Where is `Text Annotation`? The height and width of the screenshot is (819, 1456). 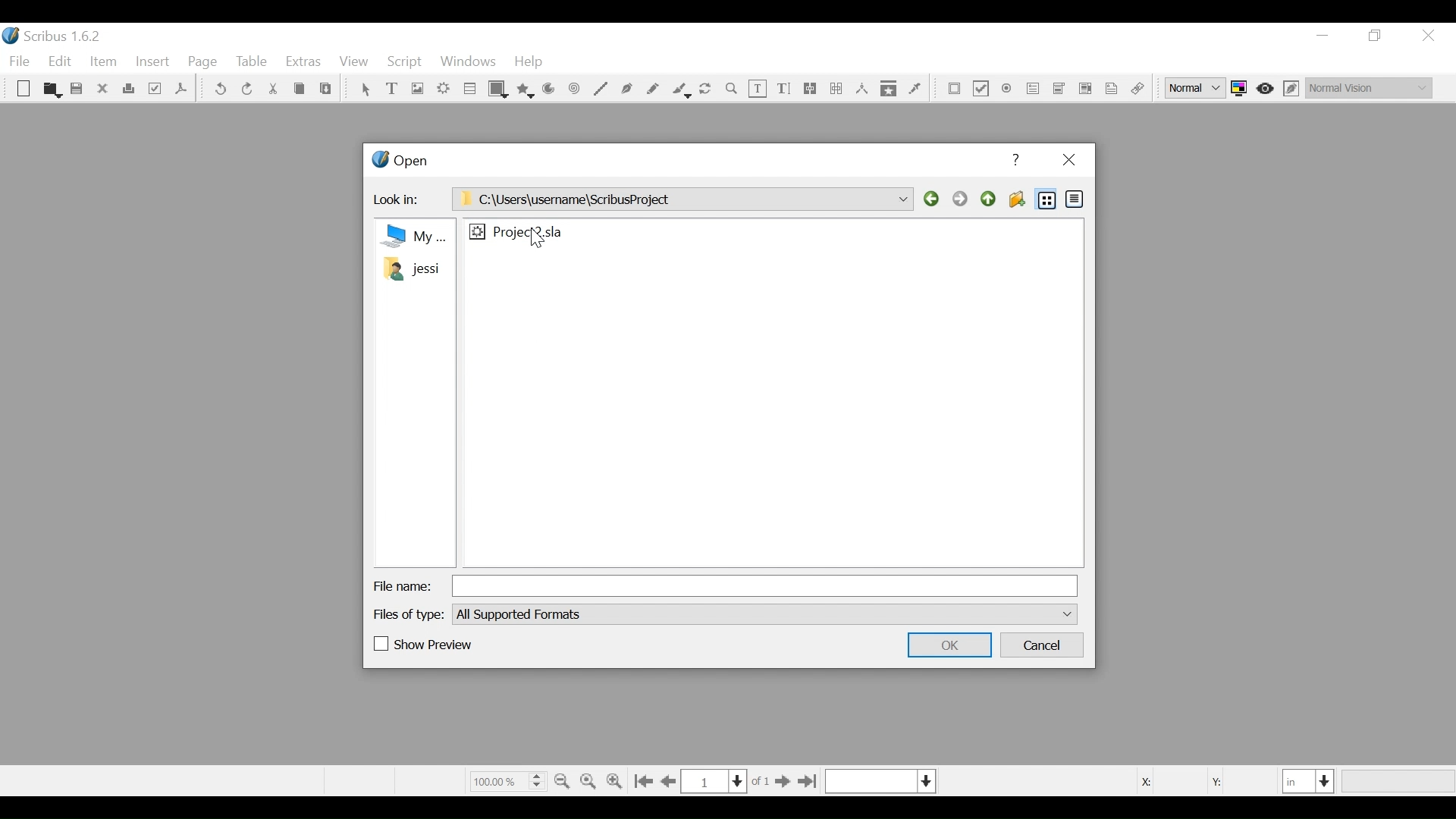 Text Annotation is located at coordinates (1109, 89).